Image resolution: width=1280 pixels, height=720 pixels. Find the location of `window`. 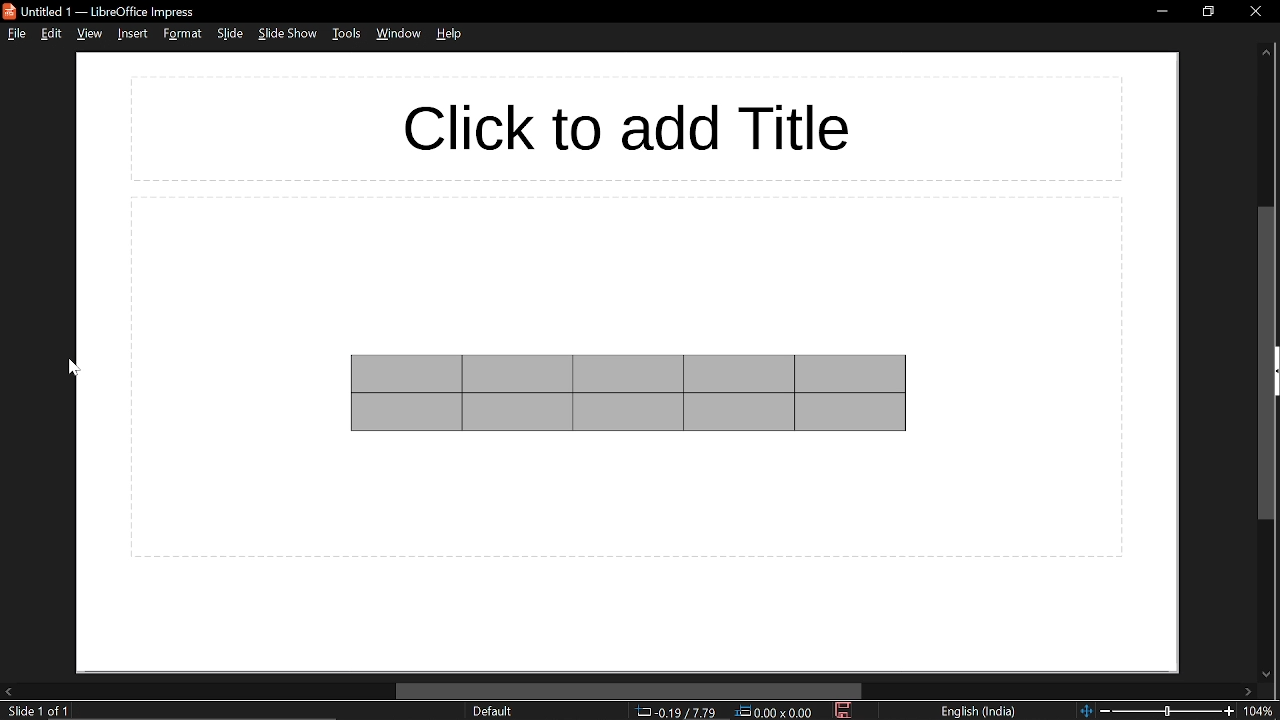

window is located at coordinates (398, 34).